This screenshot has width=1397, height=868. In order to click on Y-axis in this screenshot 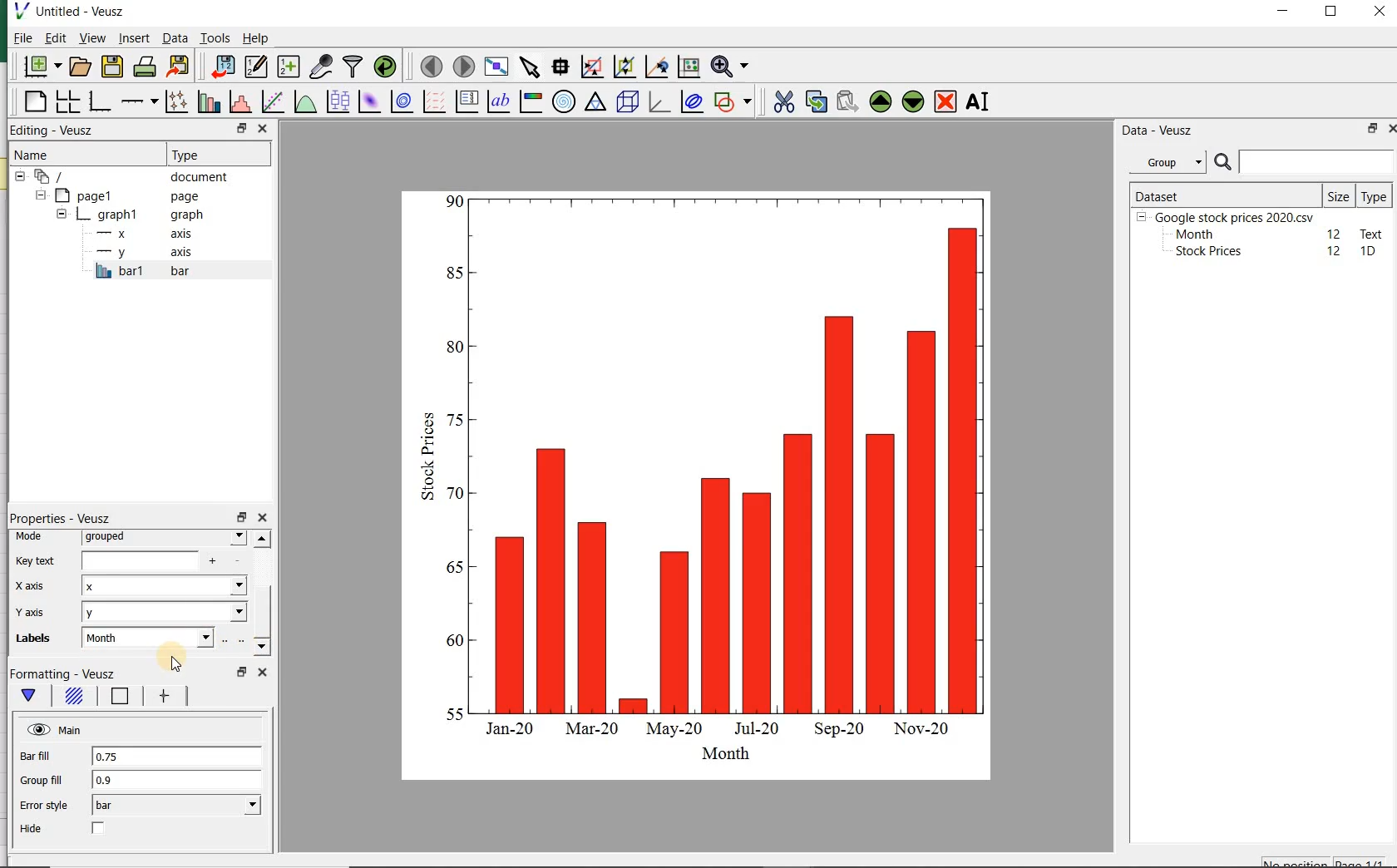, I will do `click(33, 614)`.